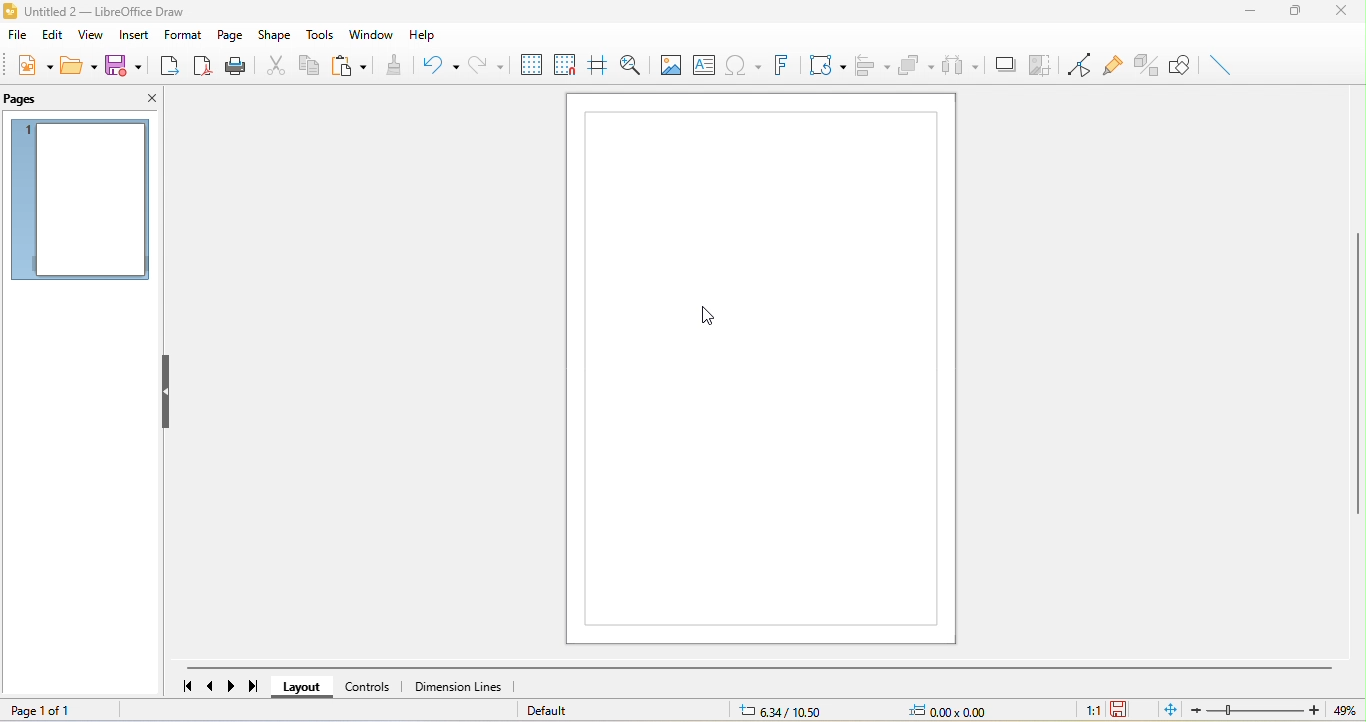 This screenshot has width=1366, height=722. I want to click on dimension line, so click(460, 688).